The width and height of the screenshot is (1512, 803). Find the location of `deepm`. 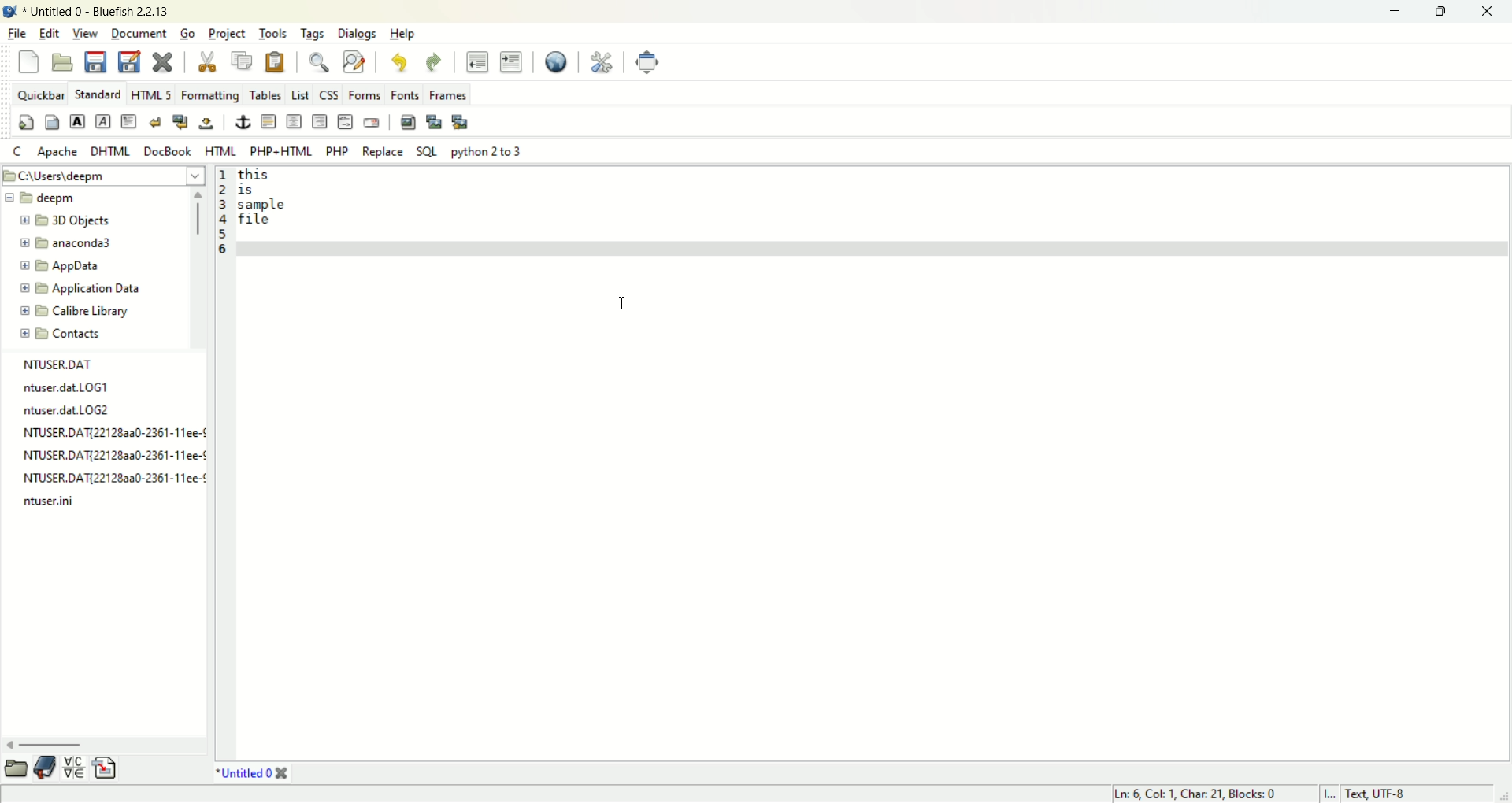

deepm is located at coordinates (39, 198).